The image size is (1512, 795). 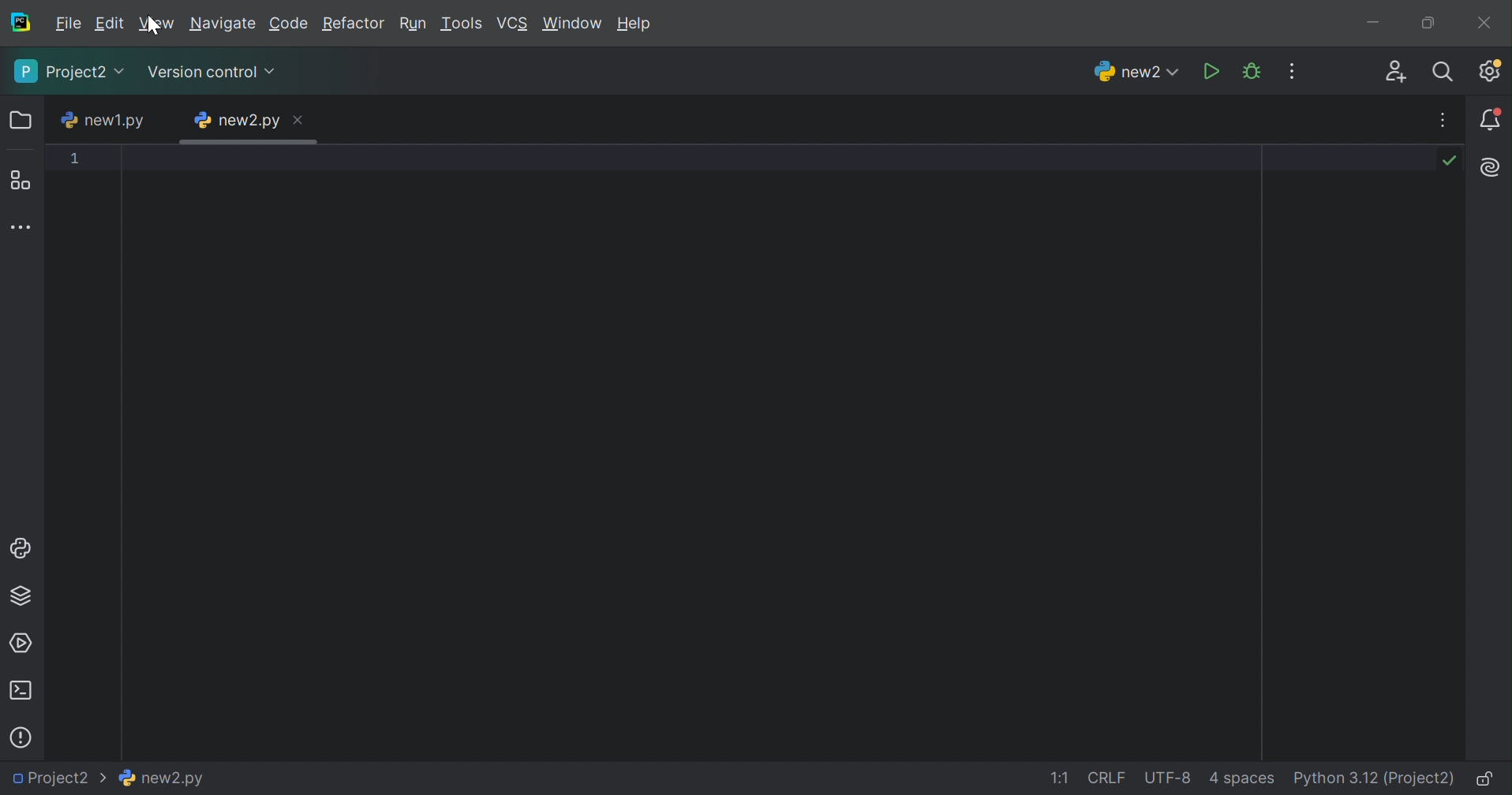 What do you see at coordinates (1487, 24) in the screenshot?
I see `Close` at bounding box center [1487, 24].